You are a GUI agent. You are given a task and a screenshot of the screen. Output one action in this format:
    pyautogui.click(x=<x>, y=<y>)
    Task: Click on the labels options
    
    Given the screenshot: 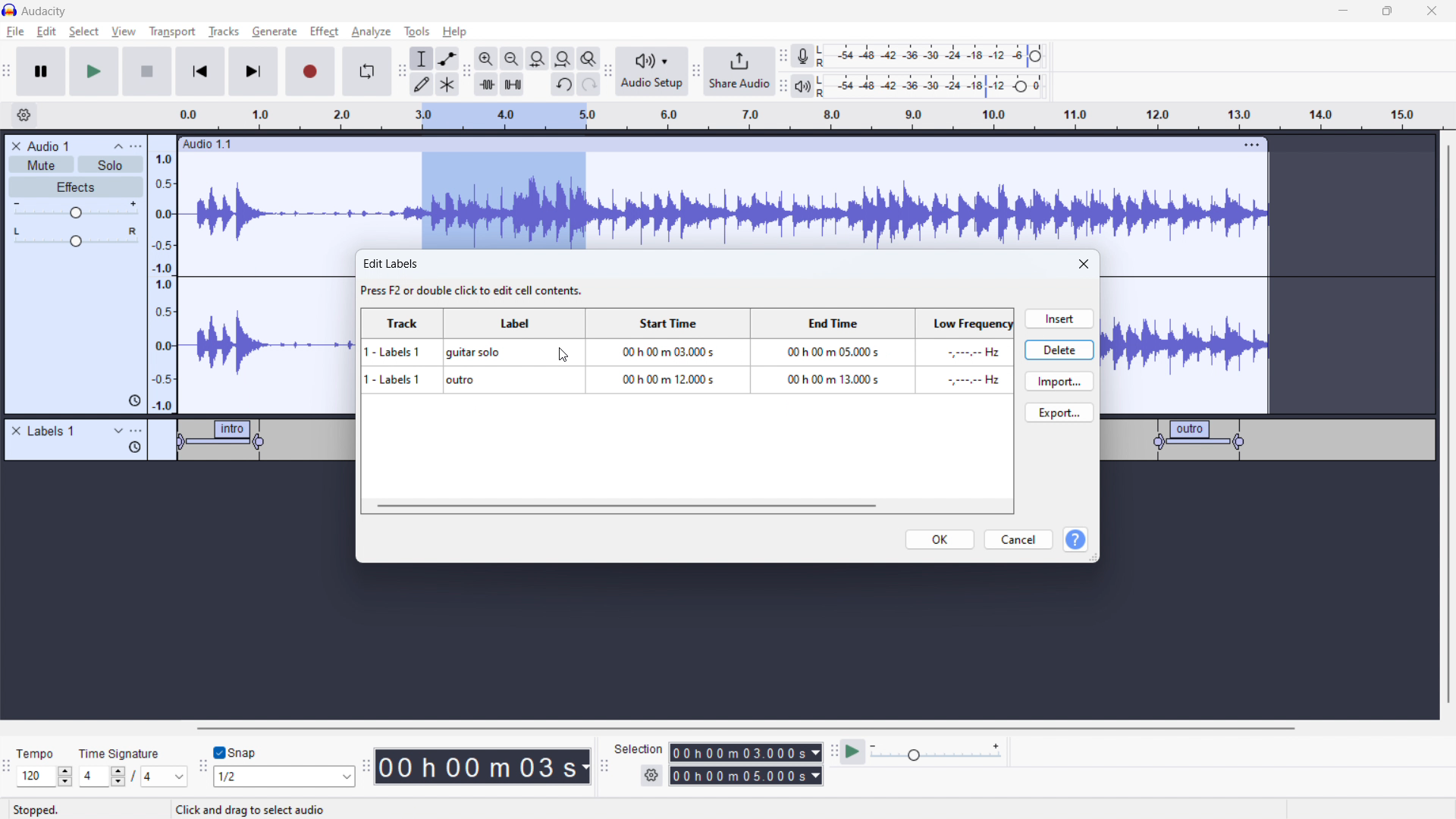 What is the action you would take?
    pyautogui.click(x=136, y=432)
    